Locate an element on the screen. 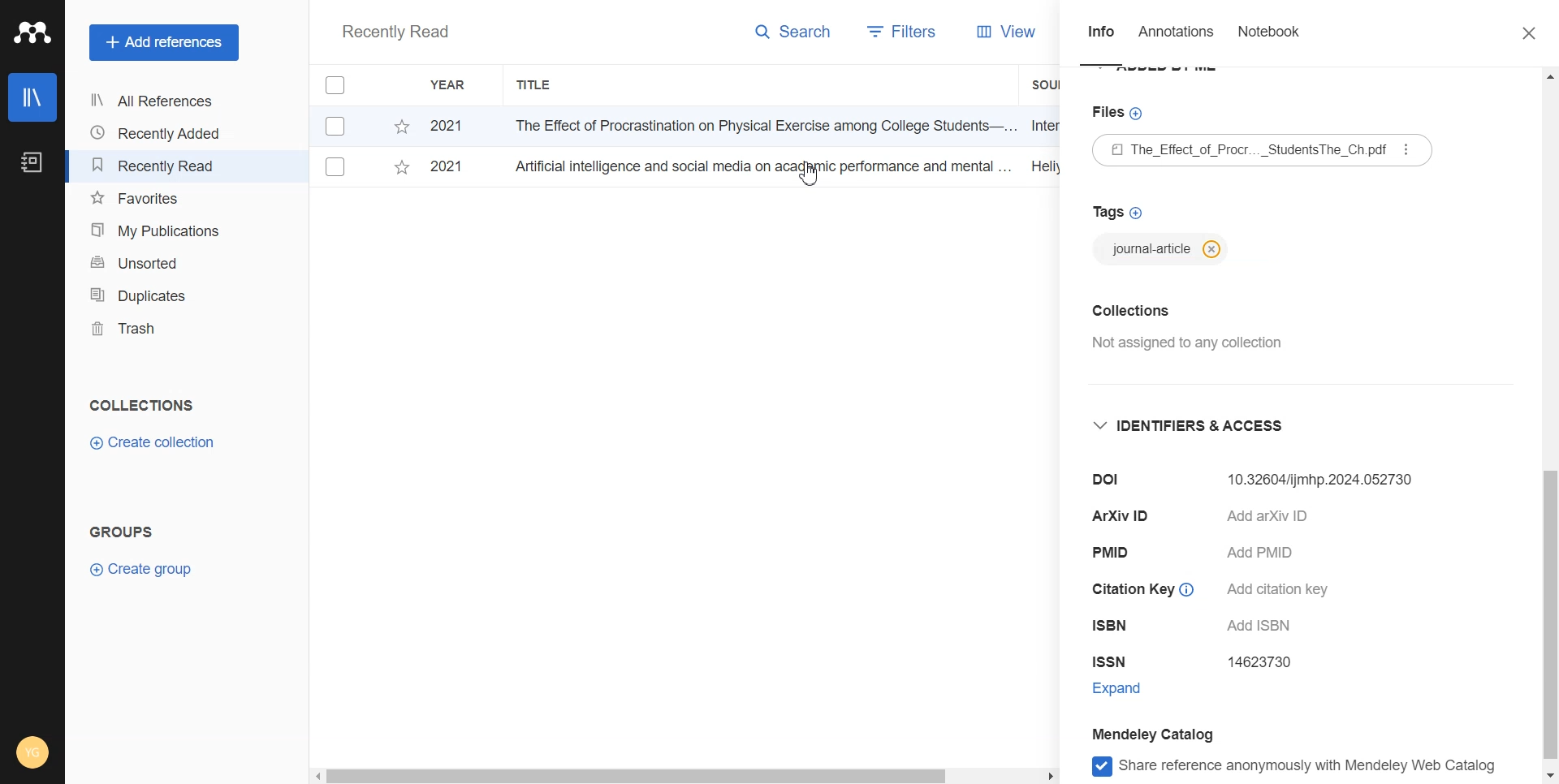 This screenshot has width=1559, height=784. Tags is located at coordinates (1116, 207).